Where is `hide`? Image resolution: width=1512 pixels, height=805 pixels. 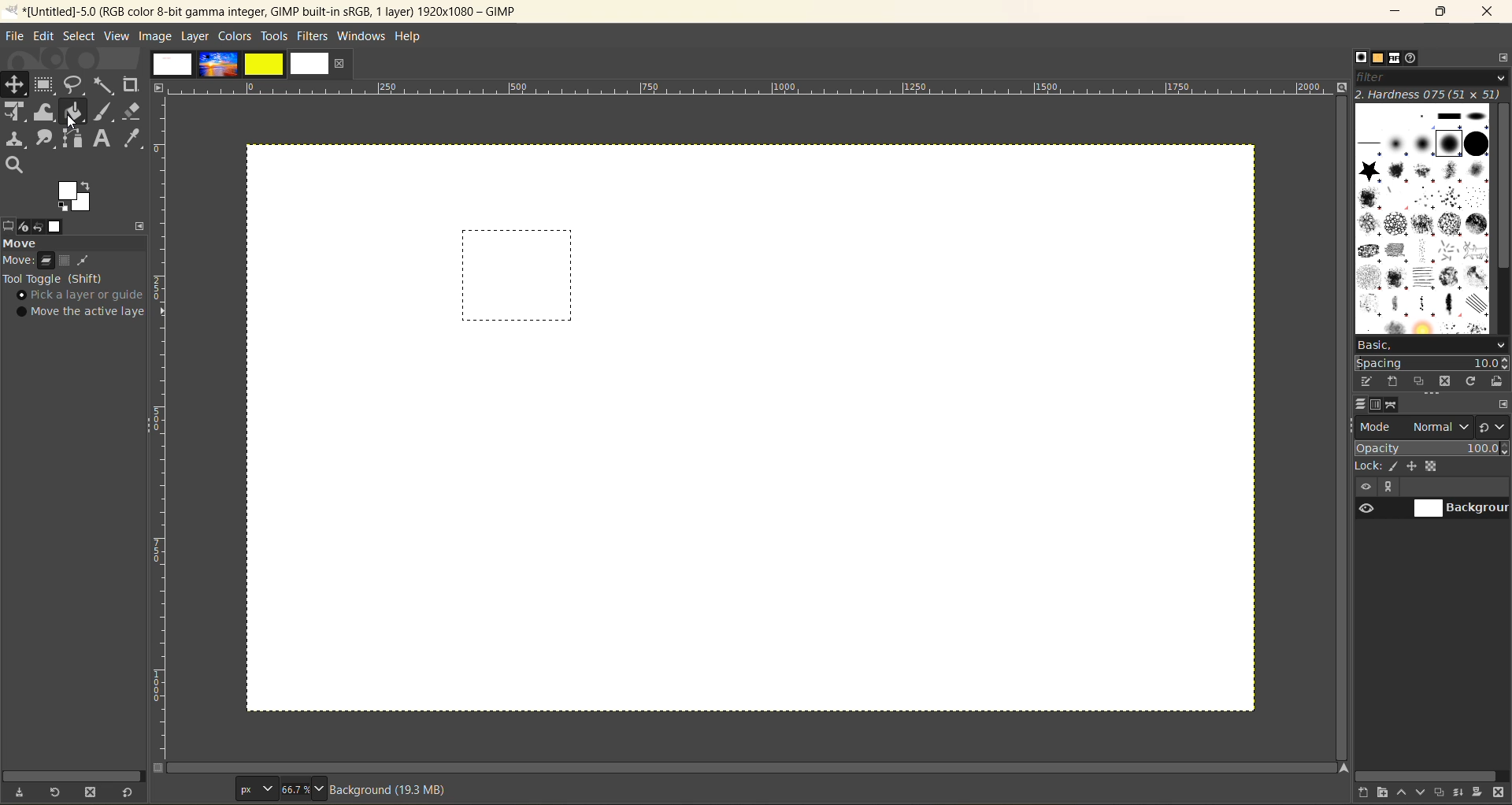 hide is located at coordinates (1365, 488).